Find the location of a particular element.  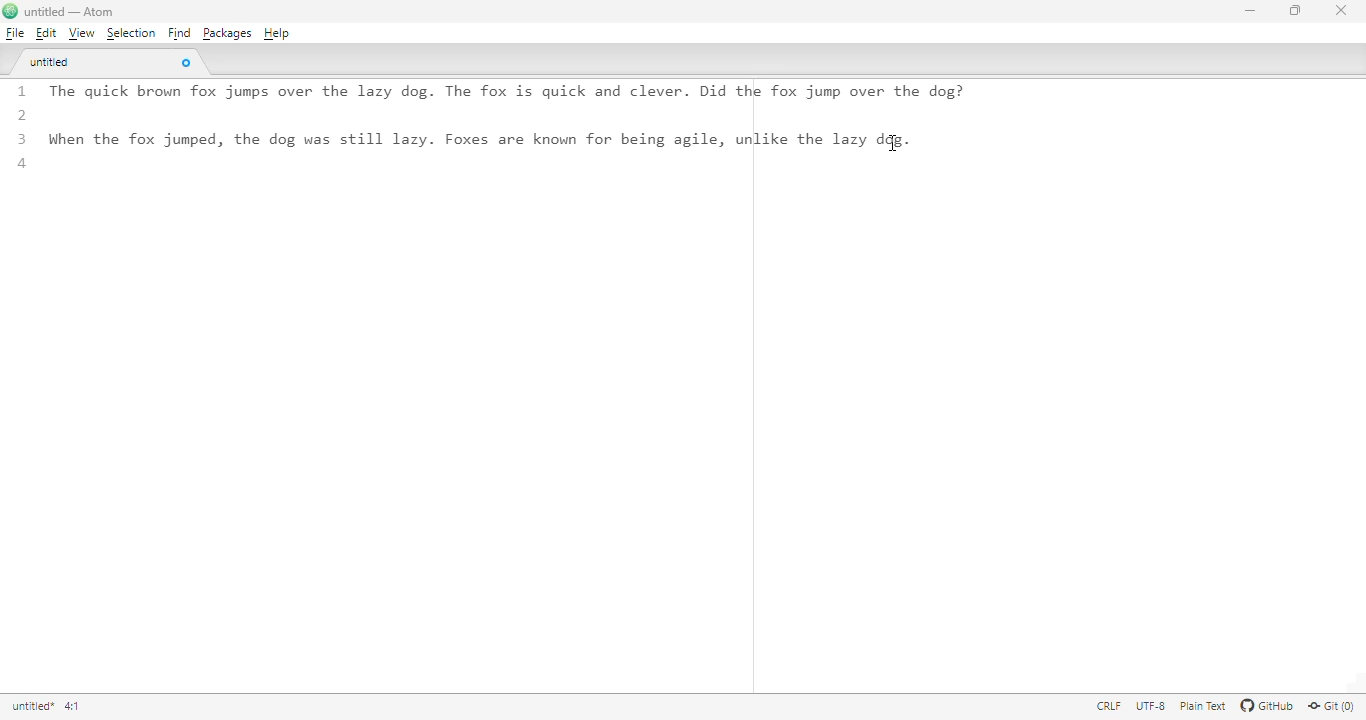

4:1 is located at coordinates (73, 706).